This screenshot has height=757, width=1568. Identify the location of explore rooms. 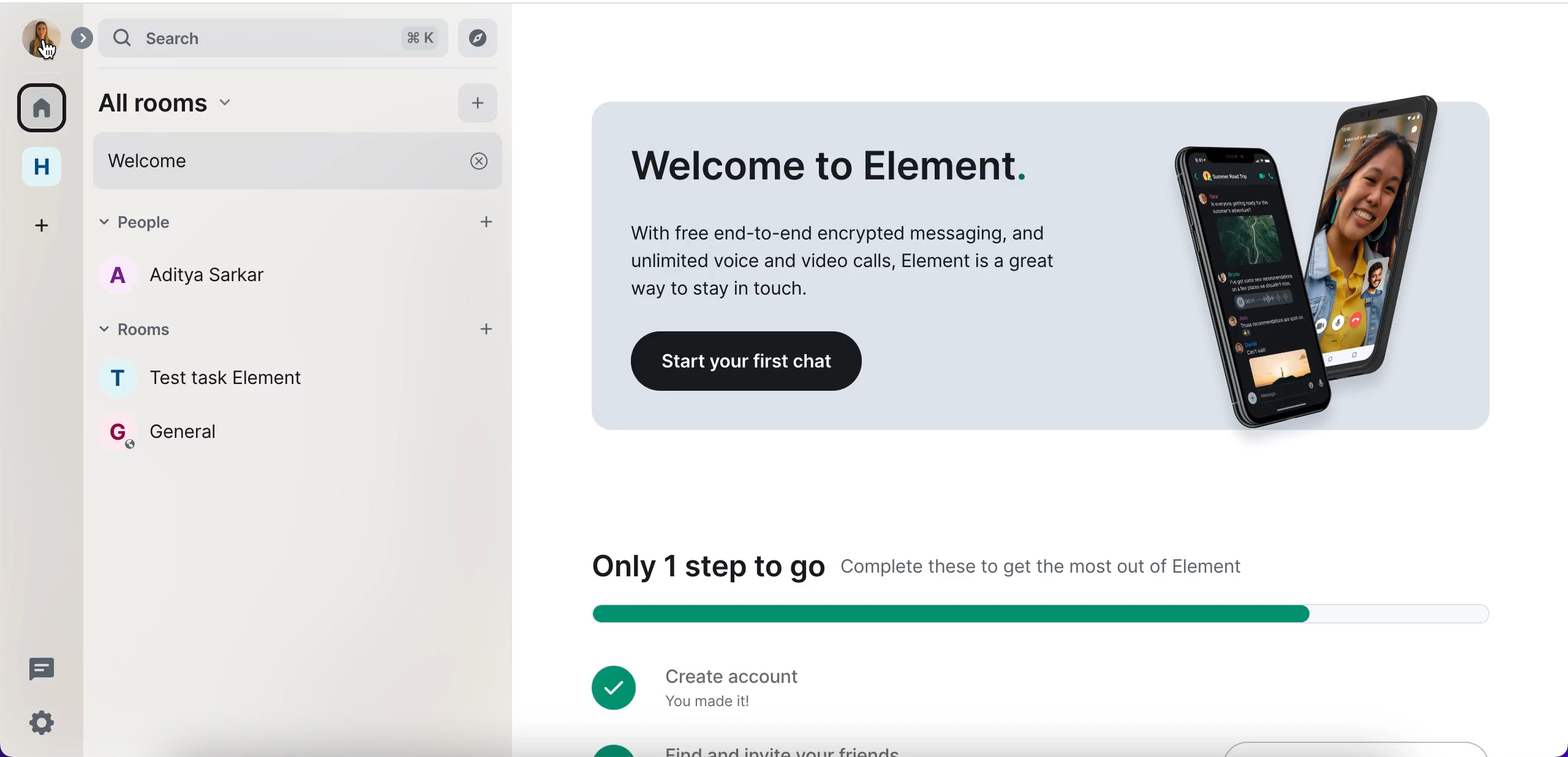
(484, 38).